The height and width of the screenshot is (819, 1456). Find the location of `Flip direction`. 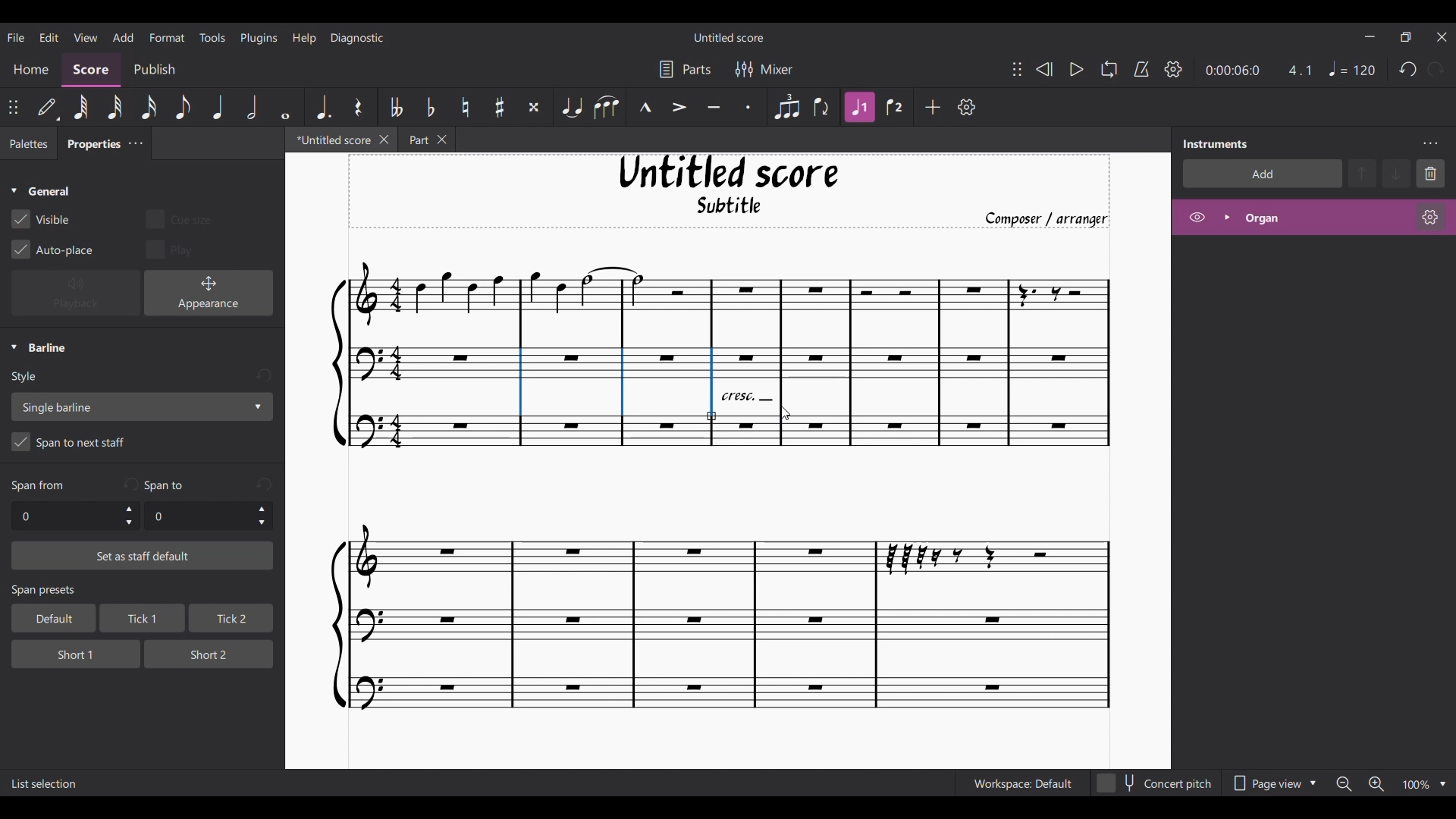

Flip direction is located at coordinates (823, 107).